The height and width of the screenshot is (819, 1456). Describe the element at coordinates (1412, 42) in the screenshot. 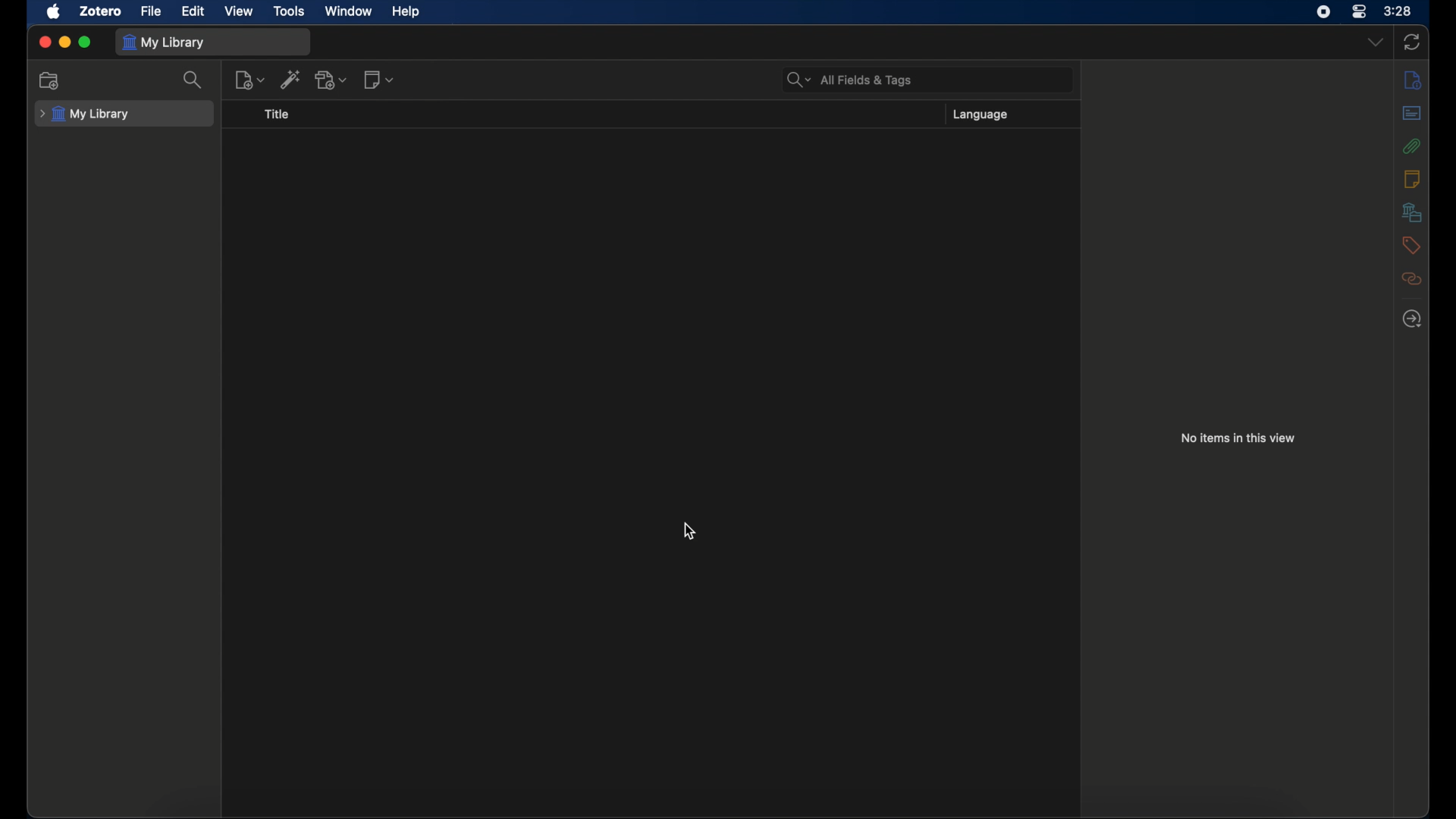

I see `sync` at that location.